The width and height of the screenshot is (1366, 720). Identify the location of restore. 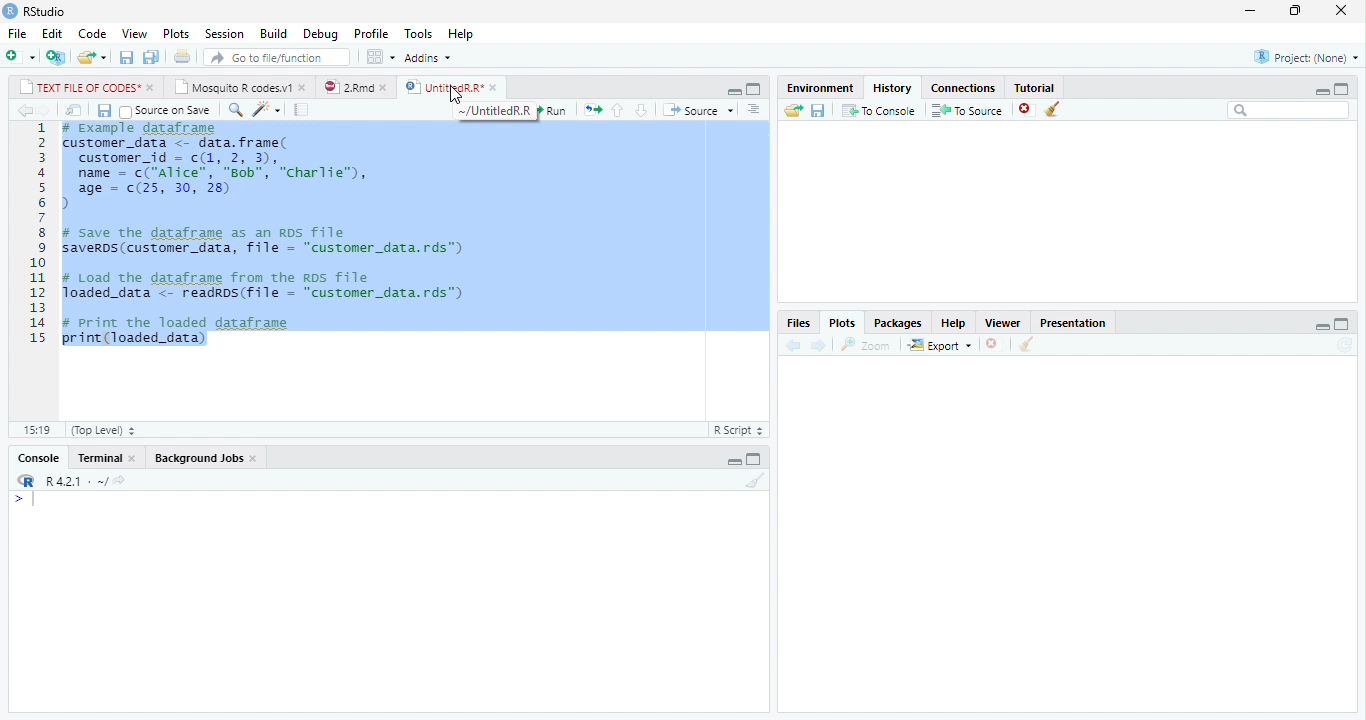
(1295, 11).